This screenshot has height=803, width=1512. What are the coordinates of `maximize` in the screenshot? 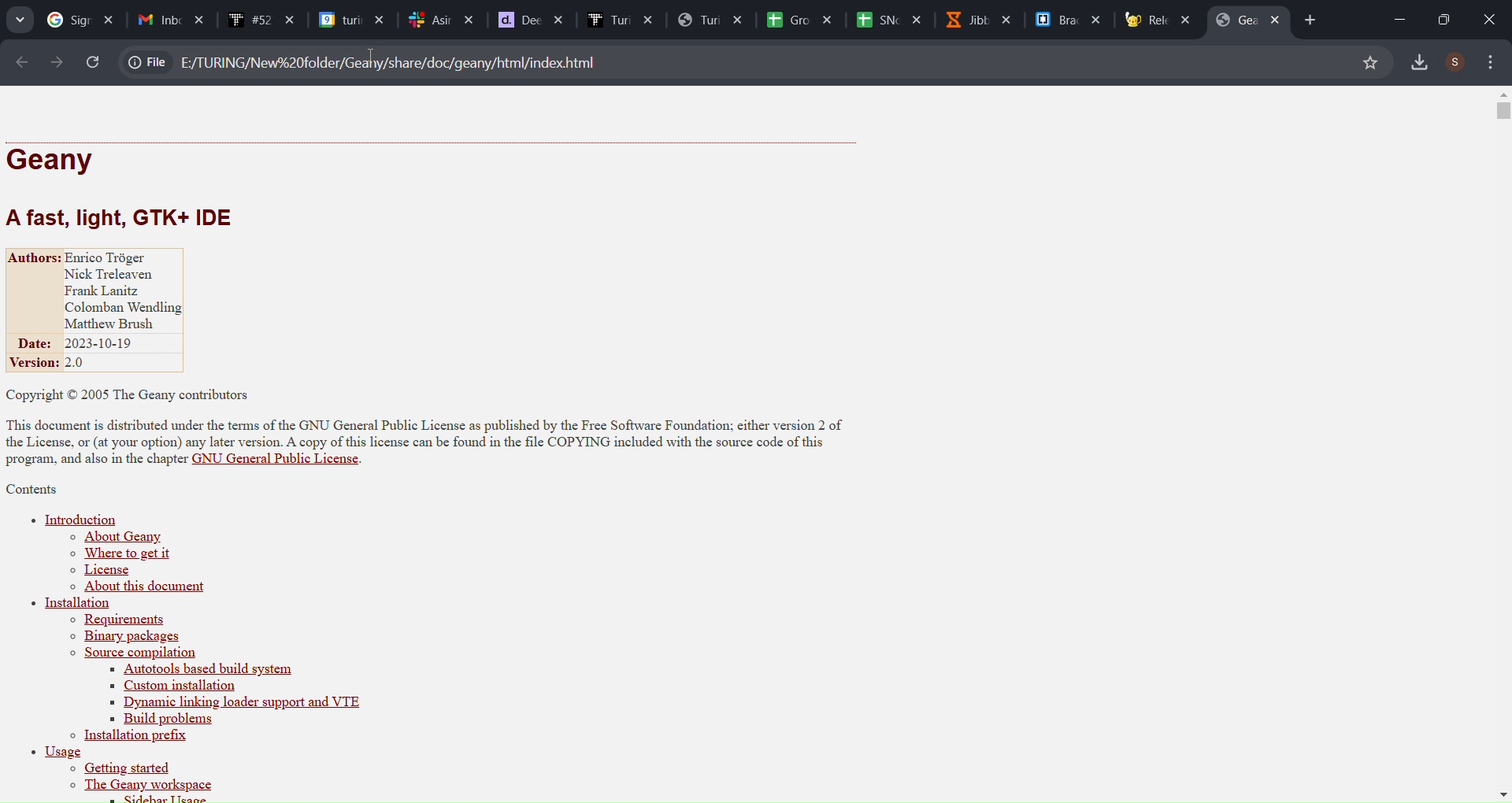 It's located at (1437, 19).